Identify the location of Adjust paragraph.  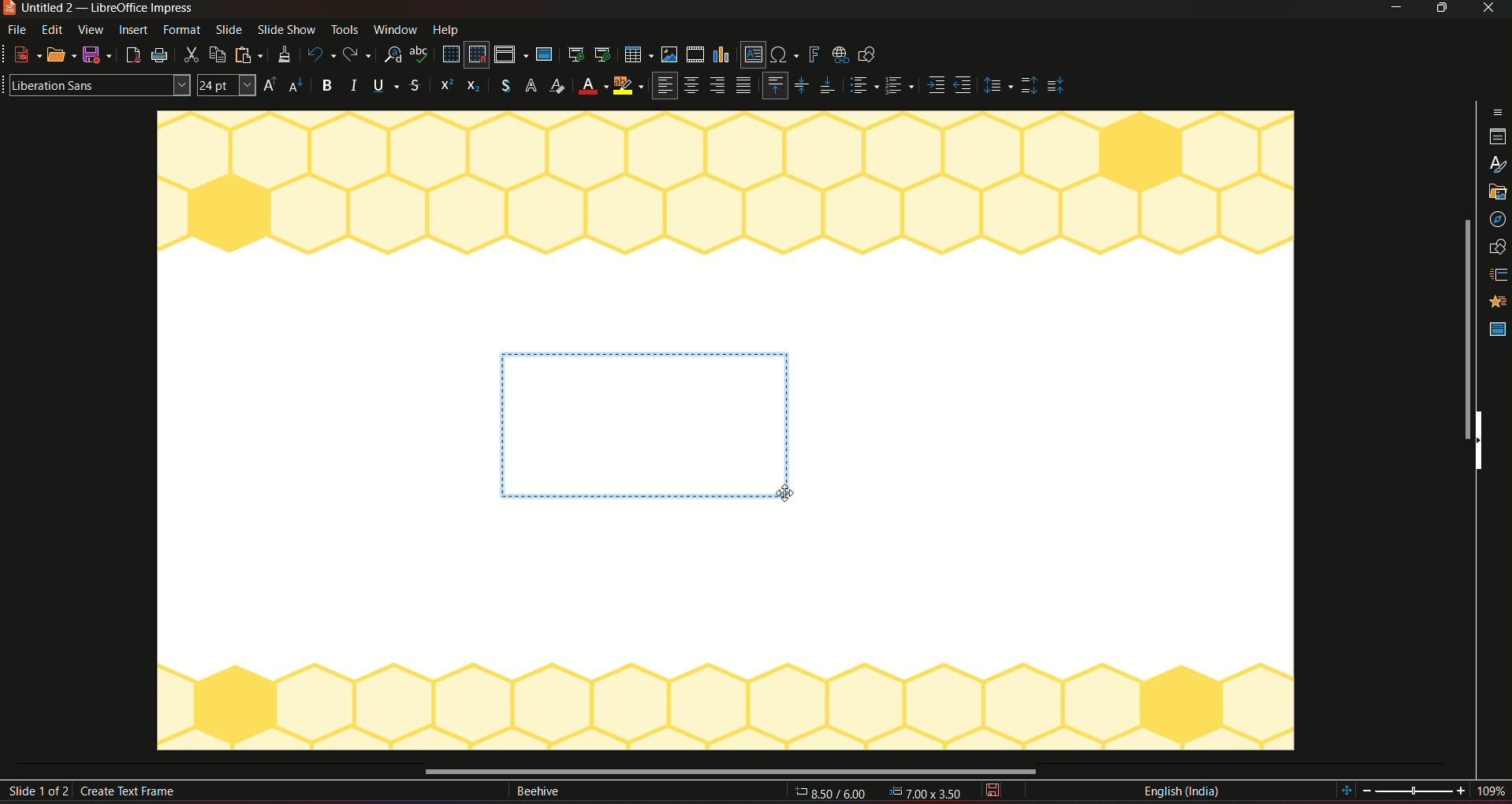
(996, 87).